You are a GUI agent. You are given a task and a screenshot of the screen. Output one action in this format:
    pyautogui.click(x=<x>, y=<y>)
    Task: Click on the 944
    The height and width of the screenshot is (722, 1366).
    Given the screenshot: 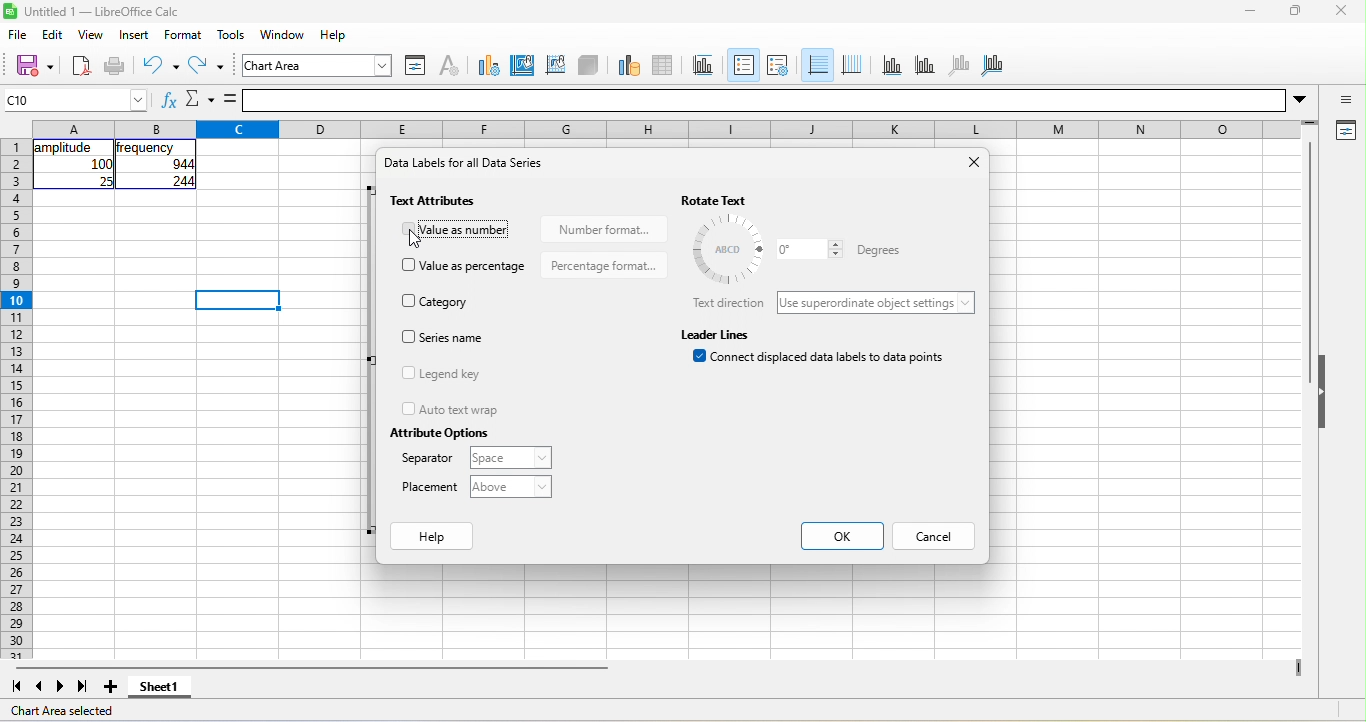 What is the action you would take?
    pyautogui.click(x=173, y=165)
    